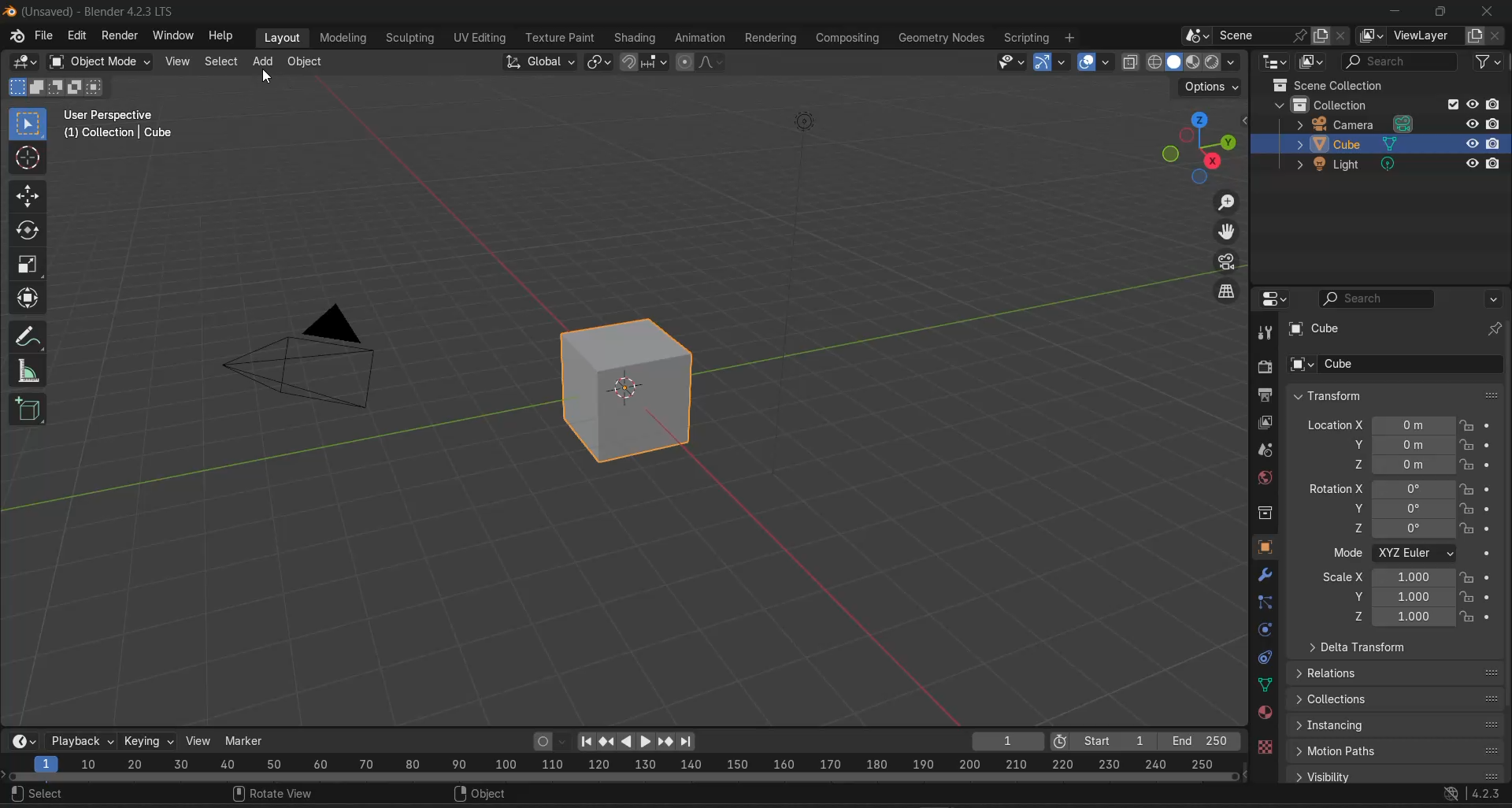 The image size is (1512, 808). Describe the element at coordinates (628, 762) in the screenshot. I see `rendering range` at that location.